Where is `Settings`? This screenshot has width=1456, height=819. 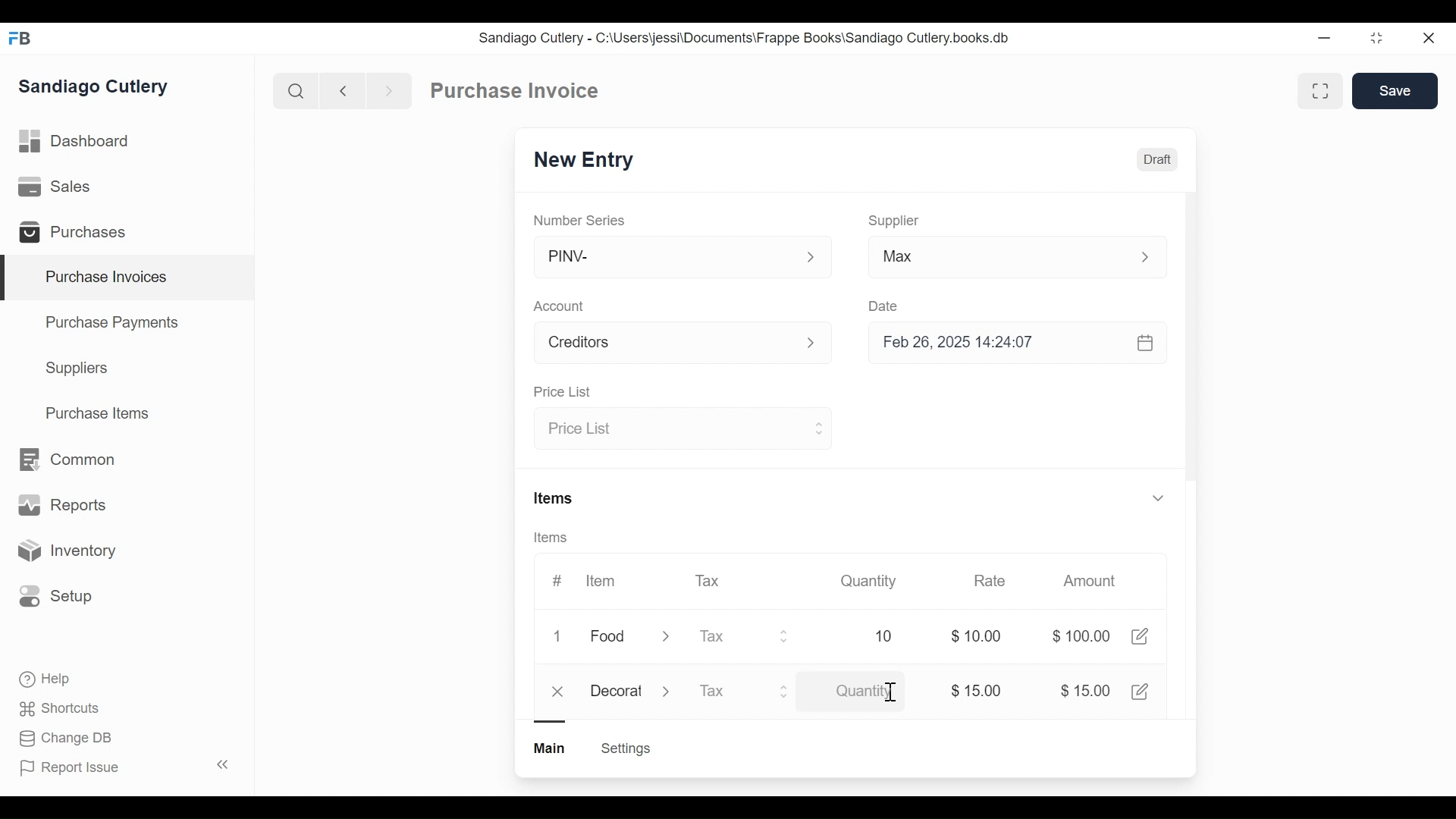 Settings is located at coordinates (625, 748).